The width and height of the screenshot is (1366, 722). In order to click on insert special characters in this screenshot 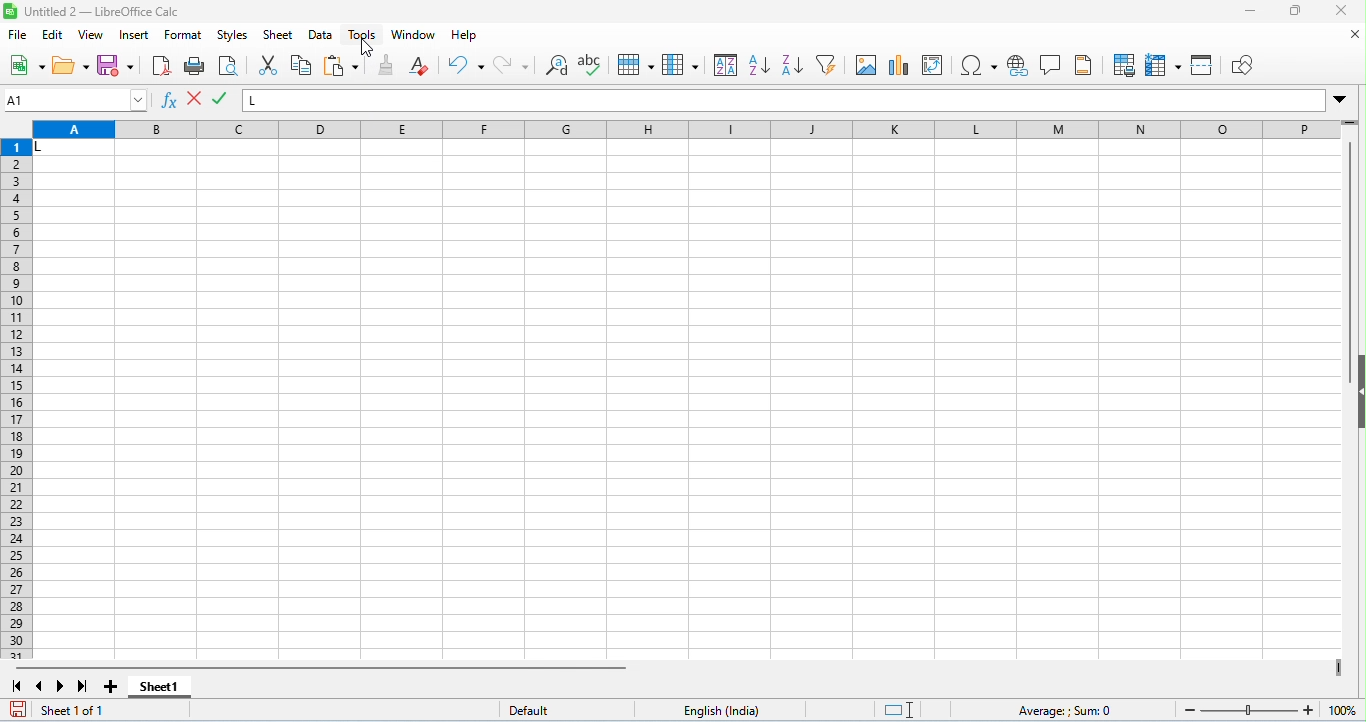, I will do `click(979, 65)`.